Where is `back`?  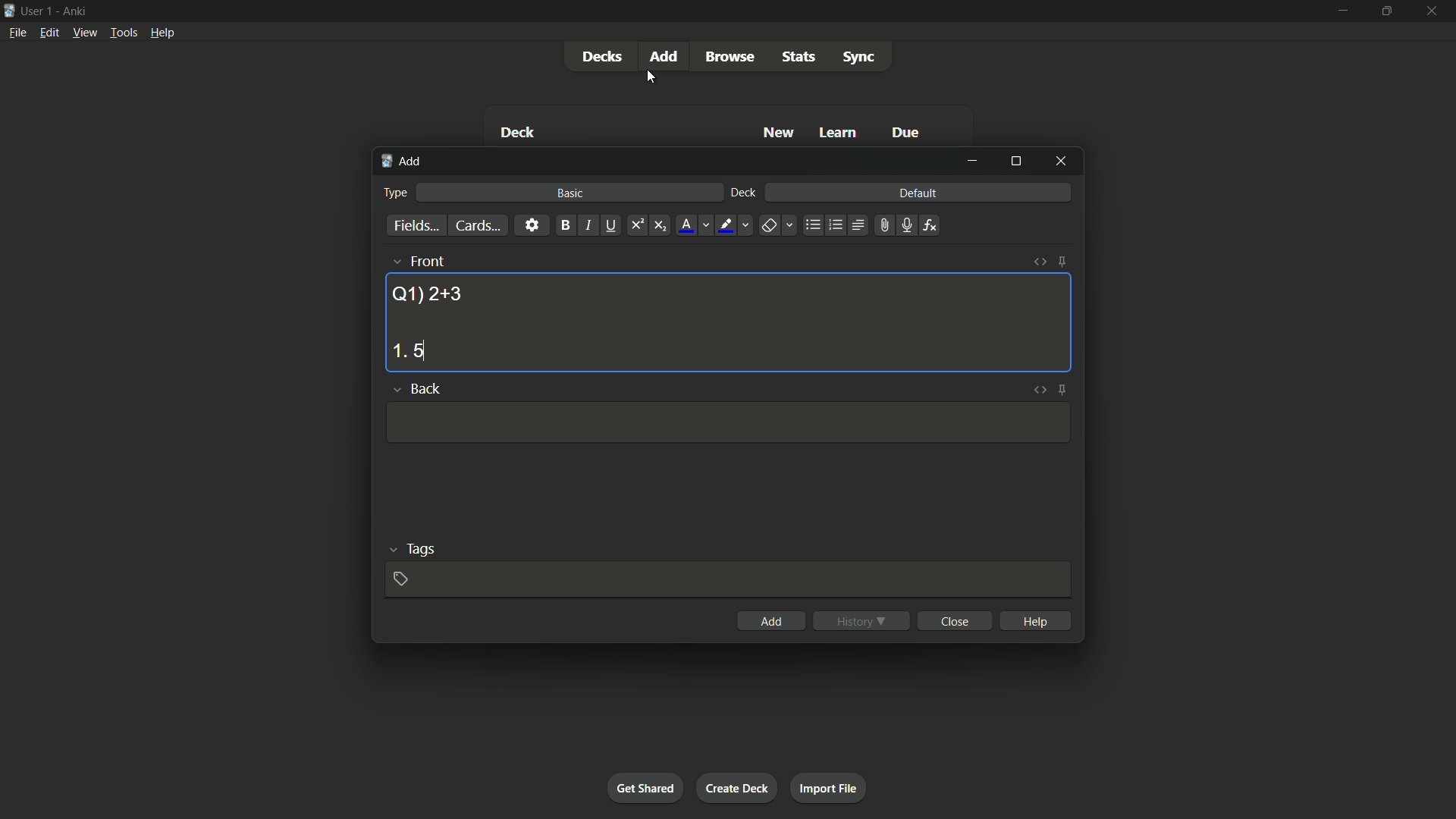
back is located at coordinates (422, 388).